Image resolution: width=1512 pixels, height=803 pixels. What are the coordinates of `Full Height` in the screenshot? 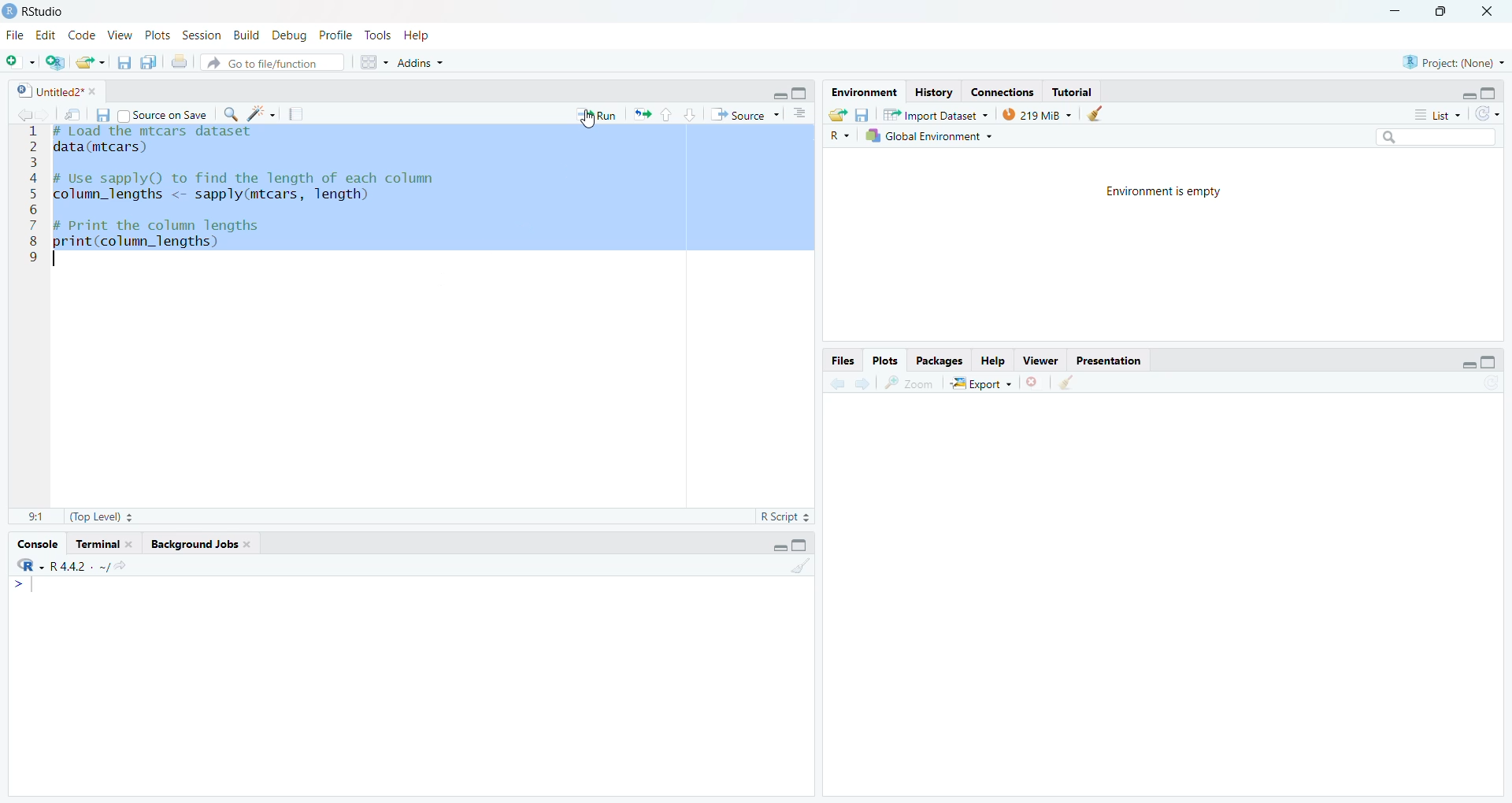 It's located at (1489, 92).